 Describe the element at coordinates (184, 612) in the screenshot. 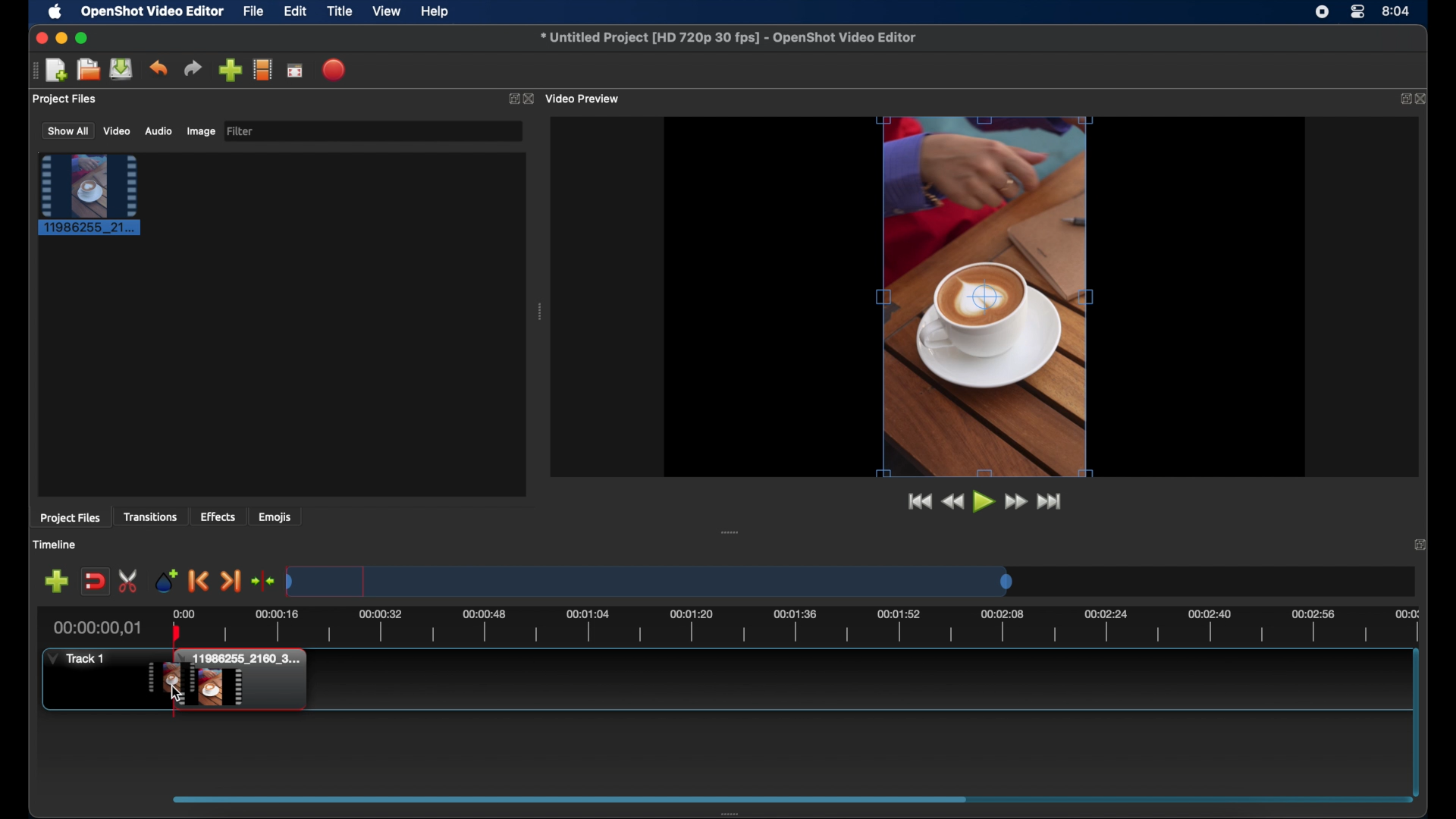

I see `0.00` at that location.